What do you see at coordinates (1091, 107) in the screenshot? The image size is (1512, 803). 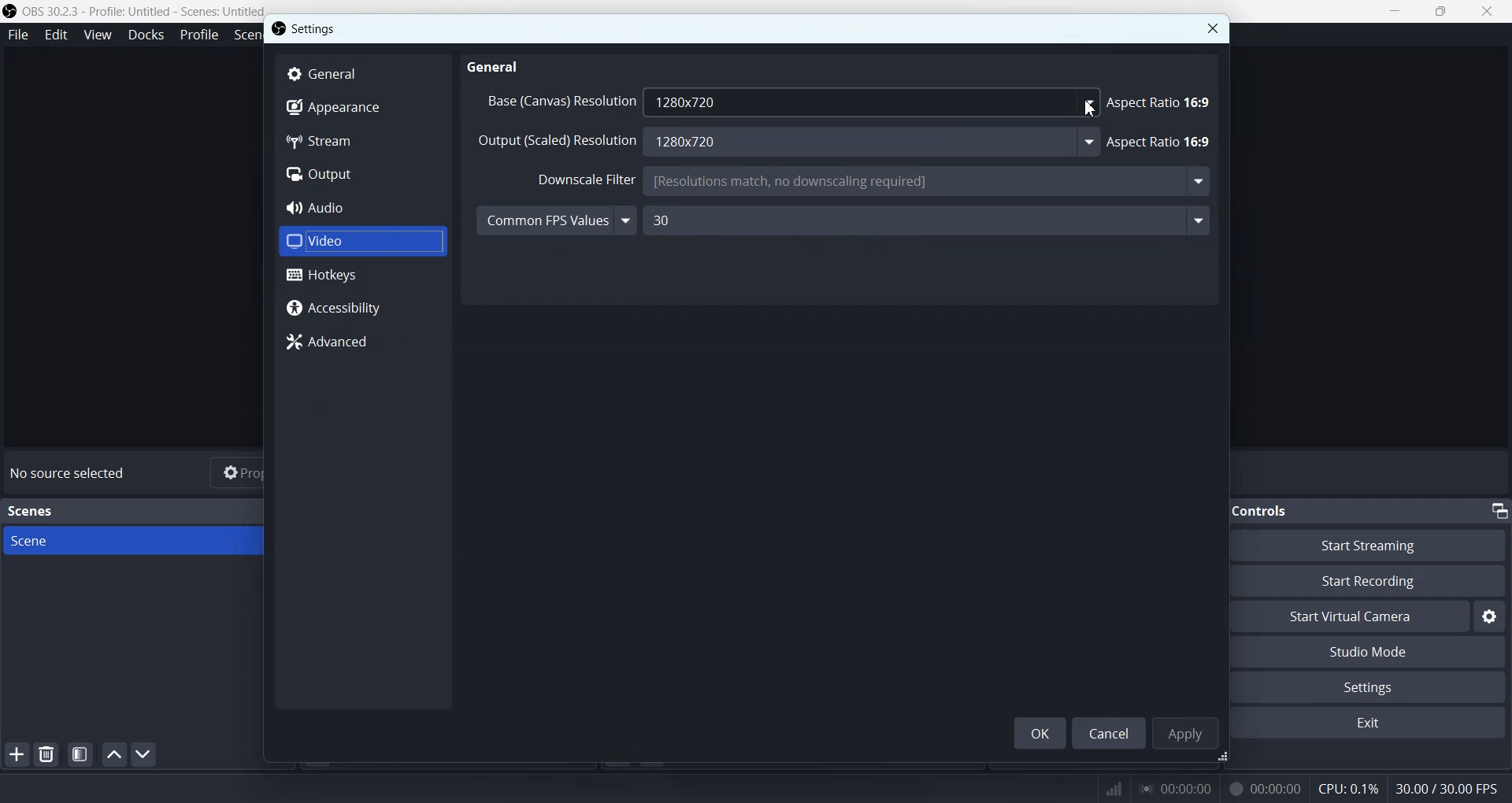 I see `Cursor` at bounding box center [1091, 107].